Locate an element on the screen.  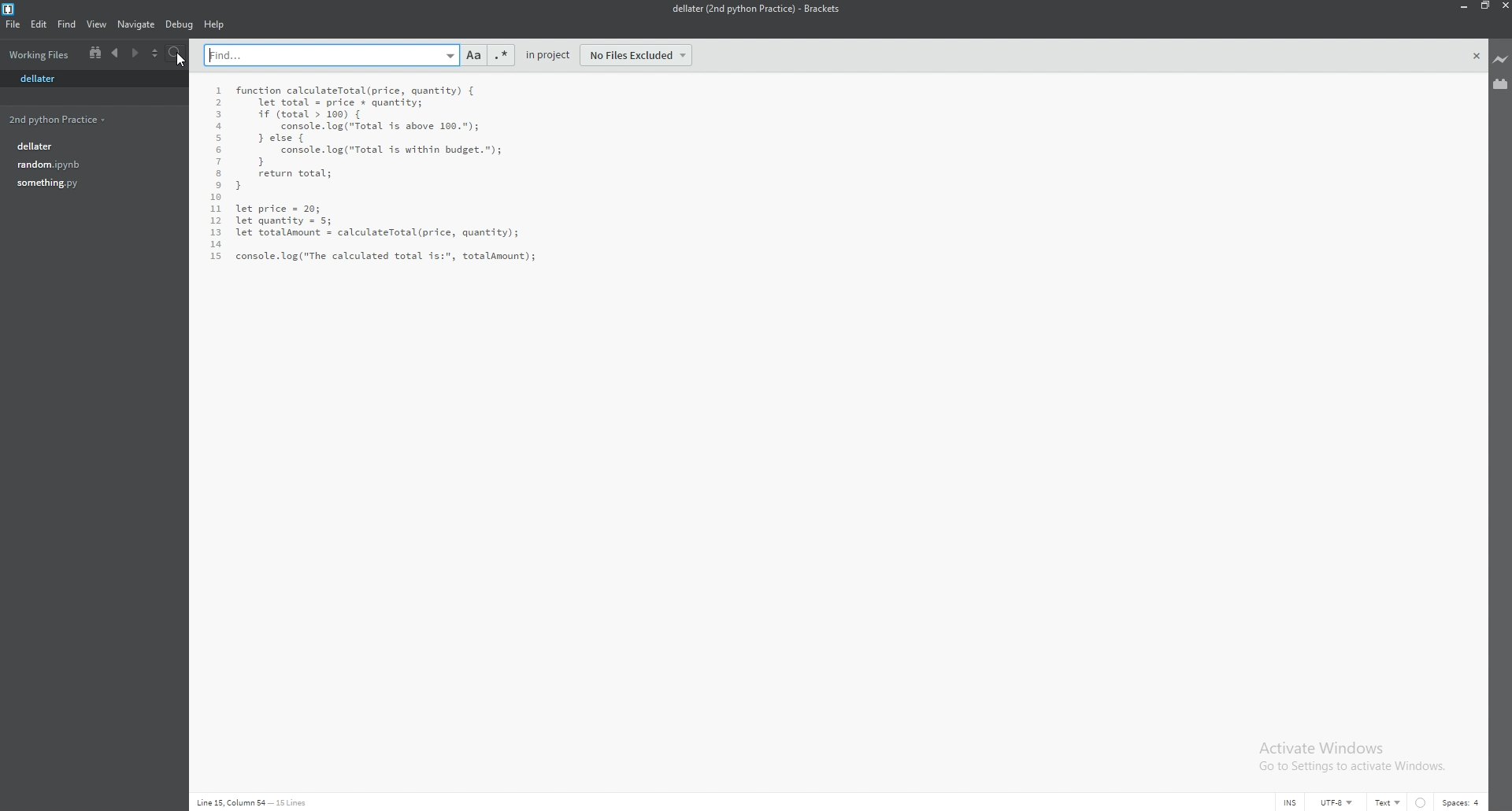
live preview is located at coordinates (1499, 61).